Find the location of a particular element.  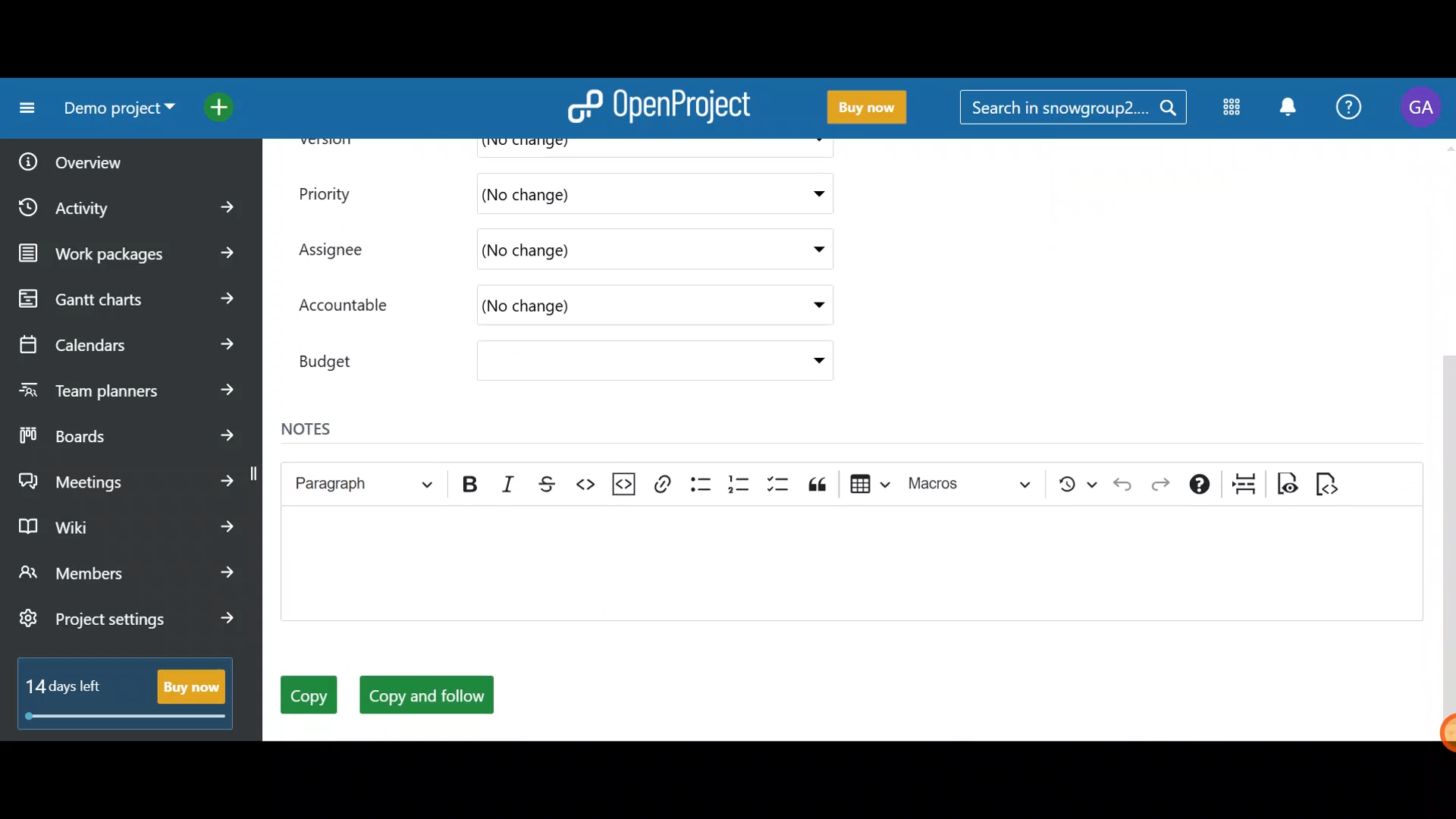

Account name is located at coordinates (1421, 108).